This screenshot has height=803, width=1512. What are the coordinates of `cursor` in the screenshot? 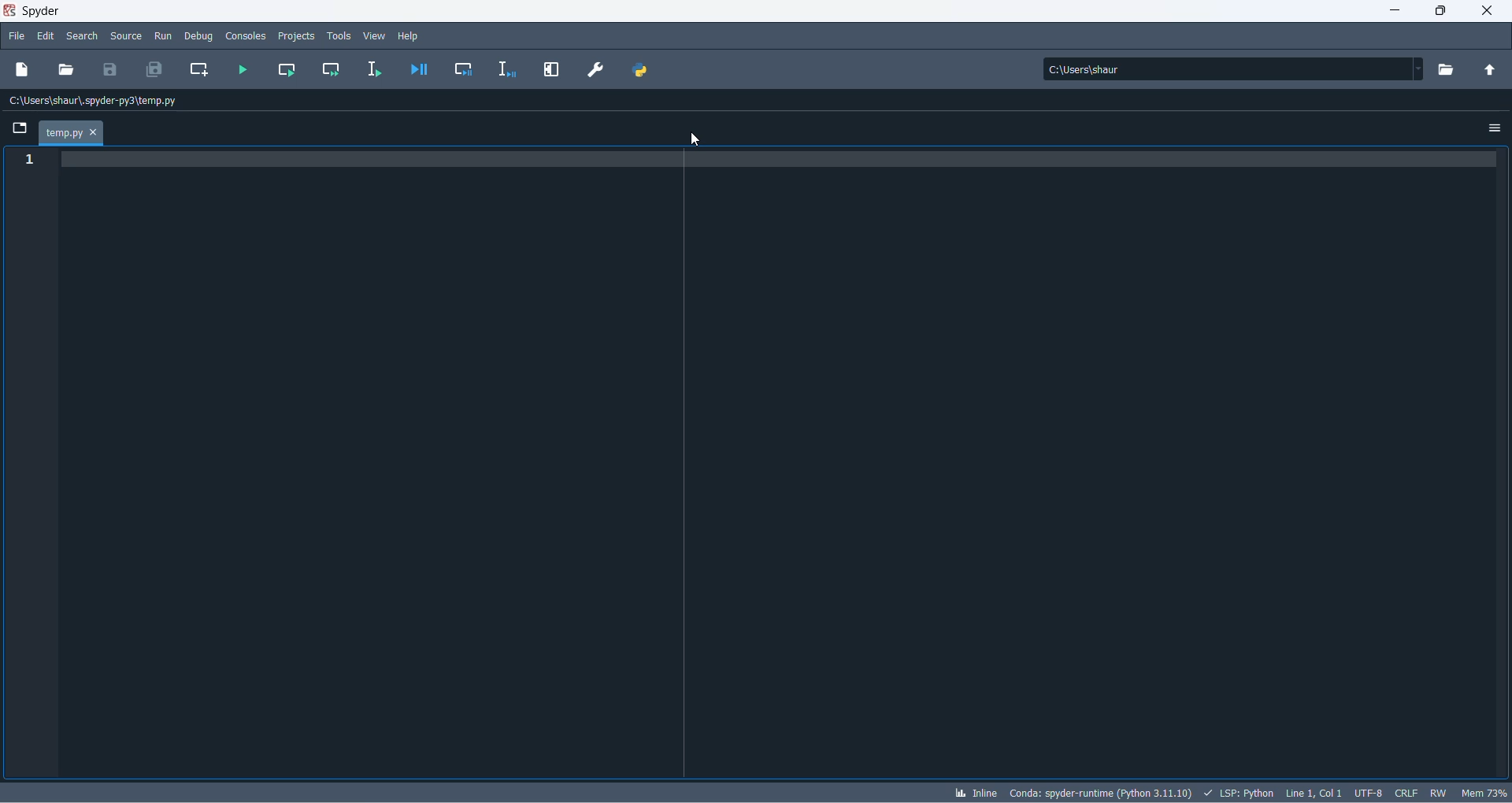 It's located at (702, 142).